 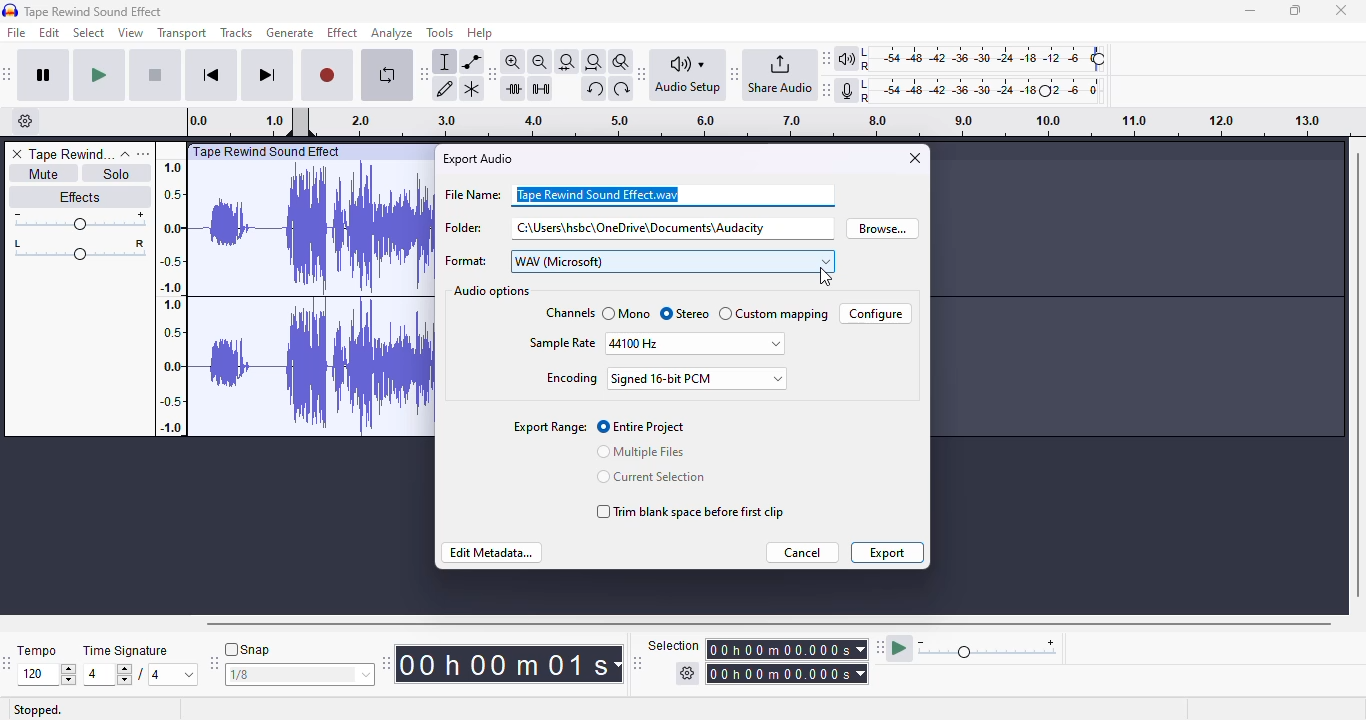 I want to click on timeline options, so click(x=26, y=121).